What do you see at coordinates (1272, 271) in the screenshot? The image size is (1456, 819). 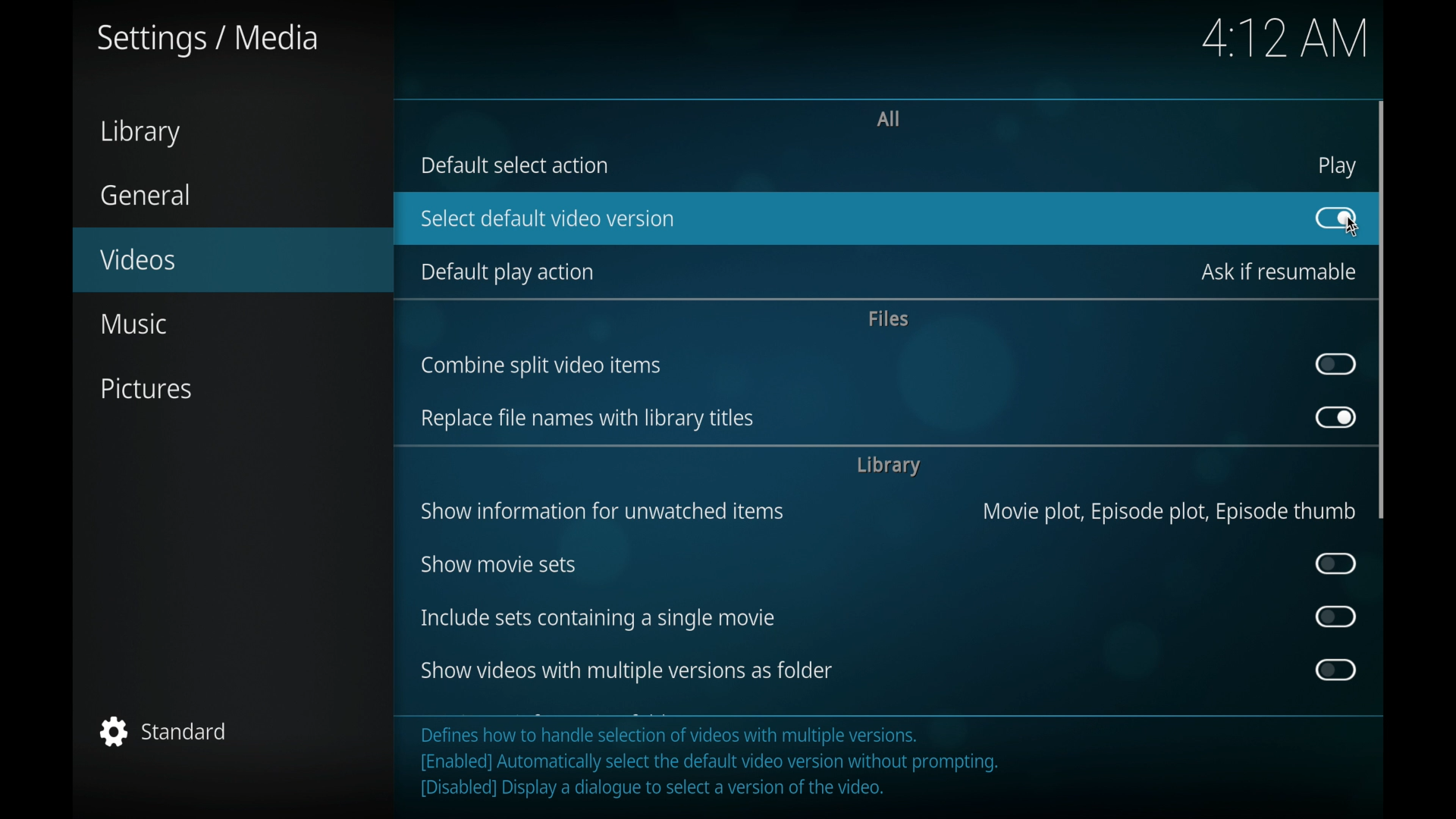 I see `ask if resumable` at bounding box center [1272, 271].